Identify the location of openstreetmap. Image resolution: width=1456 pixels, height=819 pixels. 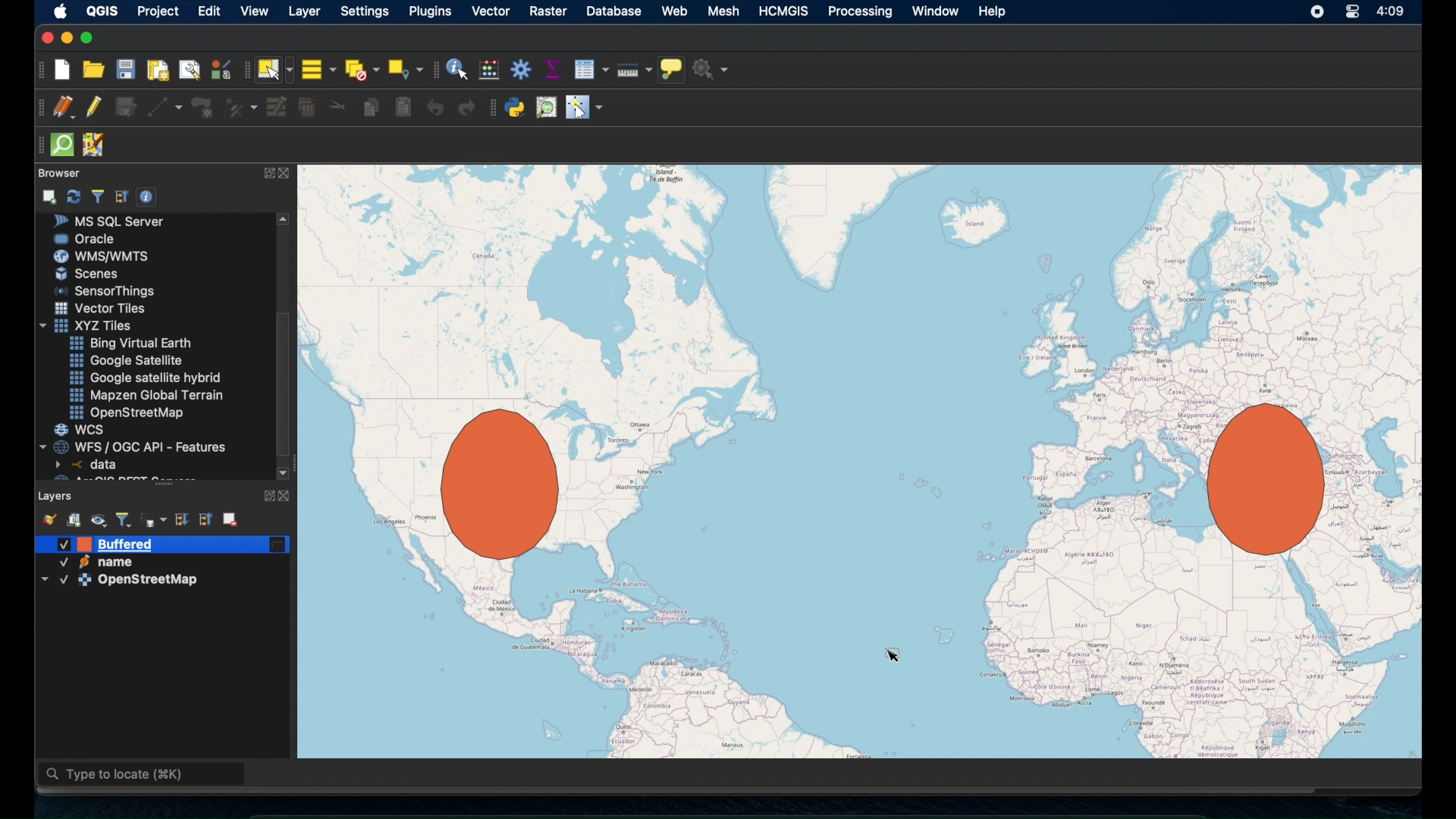
(130, 413).